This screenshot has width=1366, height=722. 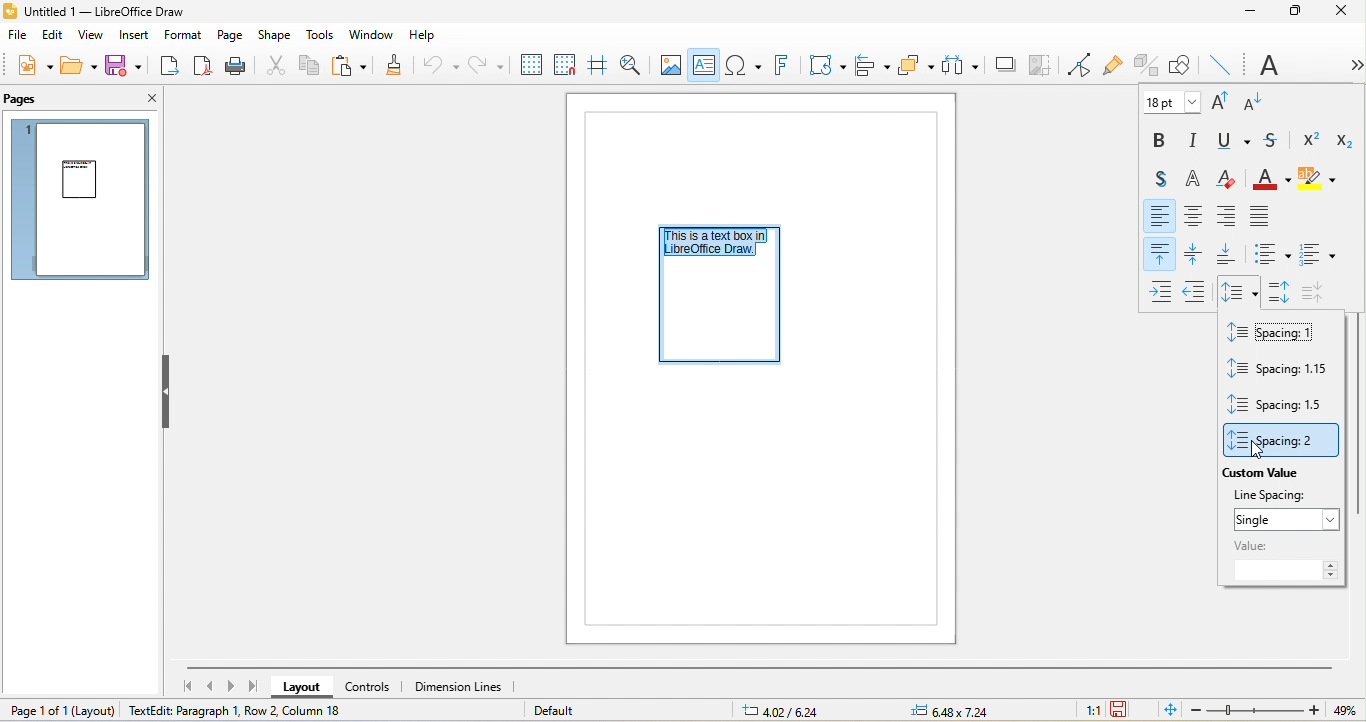 I want to click on view, so click(x=95, y=36).